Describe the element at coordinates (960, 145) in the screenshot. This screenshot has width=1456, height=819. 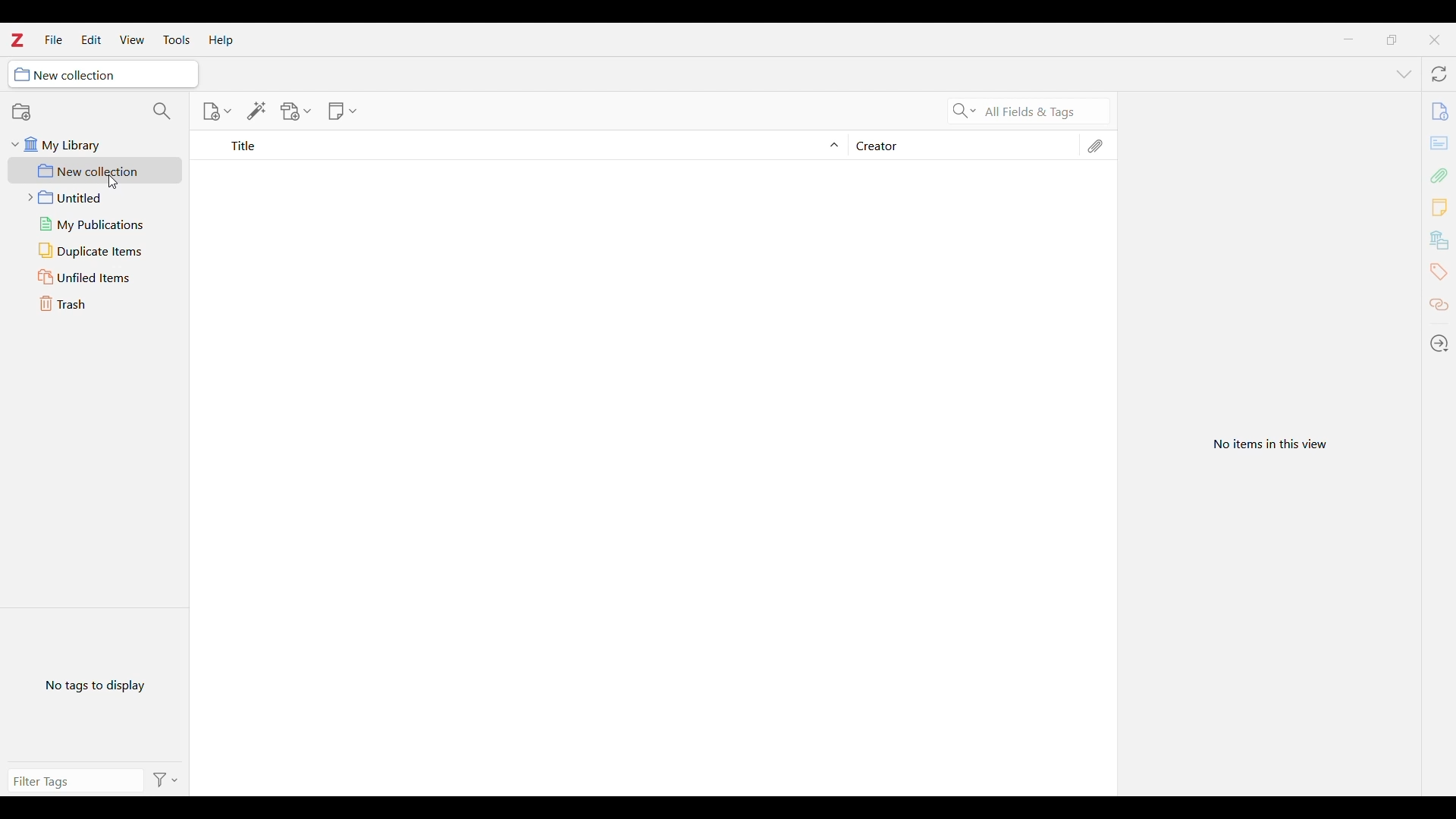
I see `Creator column` at that location.